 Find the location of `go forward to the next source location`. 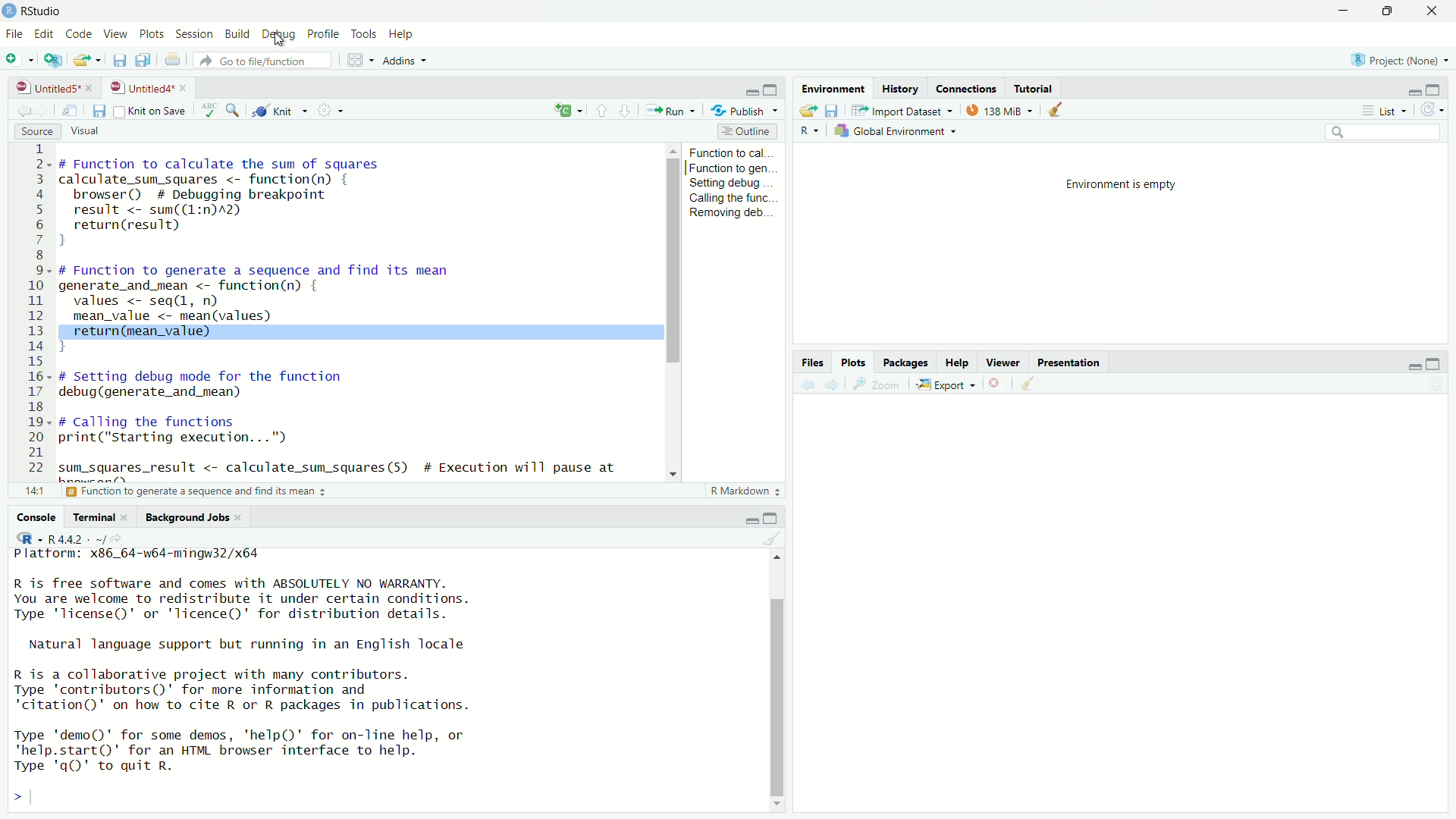

go forward to the next source location is located at coordinates (45, 108).